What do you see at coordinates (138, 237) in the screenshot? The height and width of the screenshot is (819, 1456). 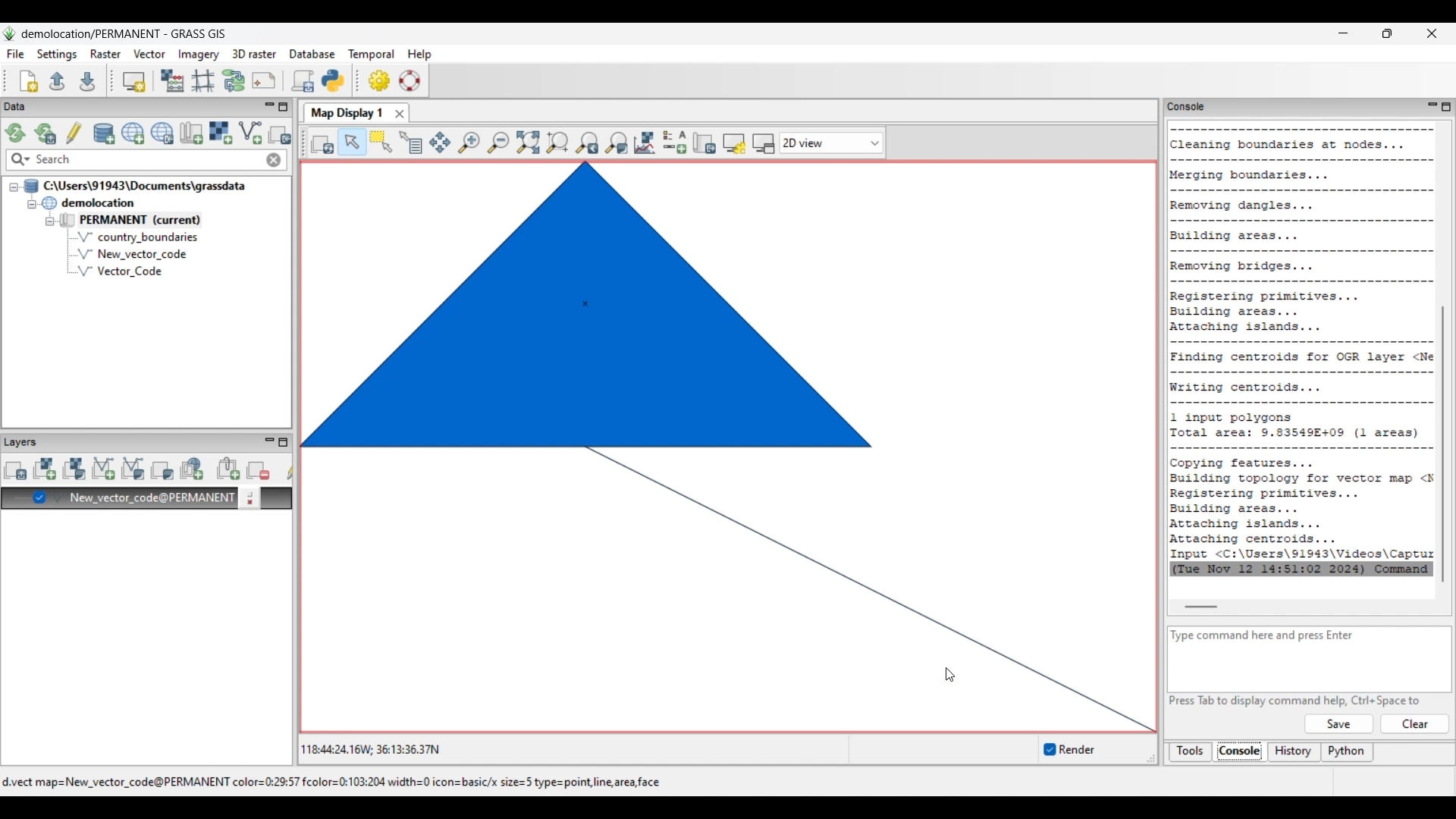 I see `country_boundaries` at bounding box center [138, 237].